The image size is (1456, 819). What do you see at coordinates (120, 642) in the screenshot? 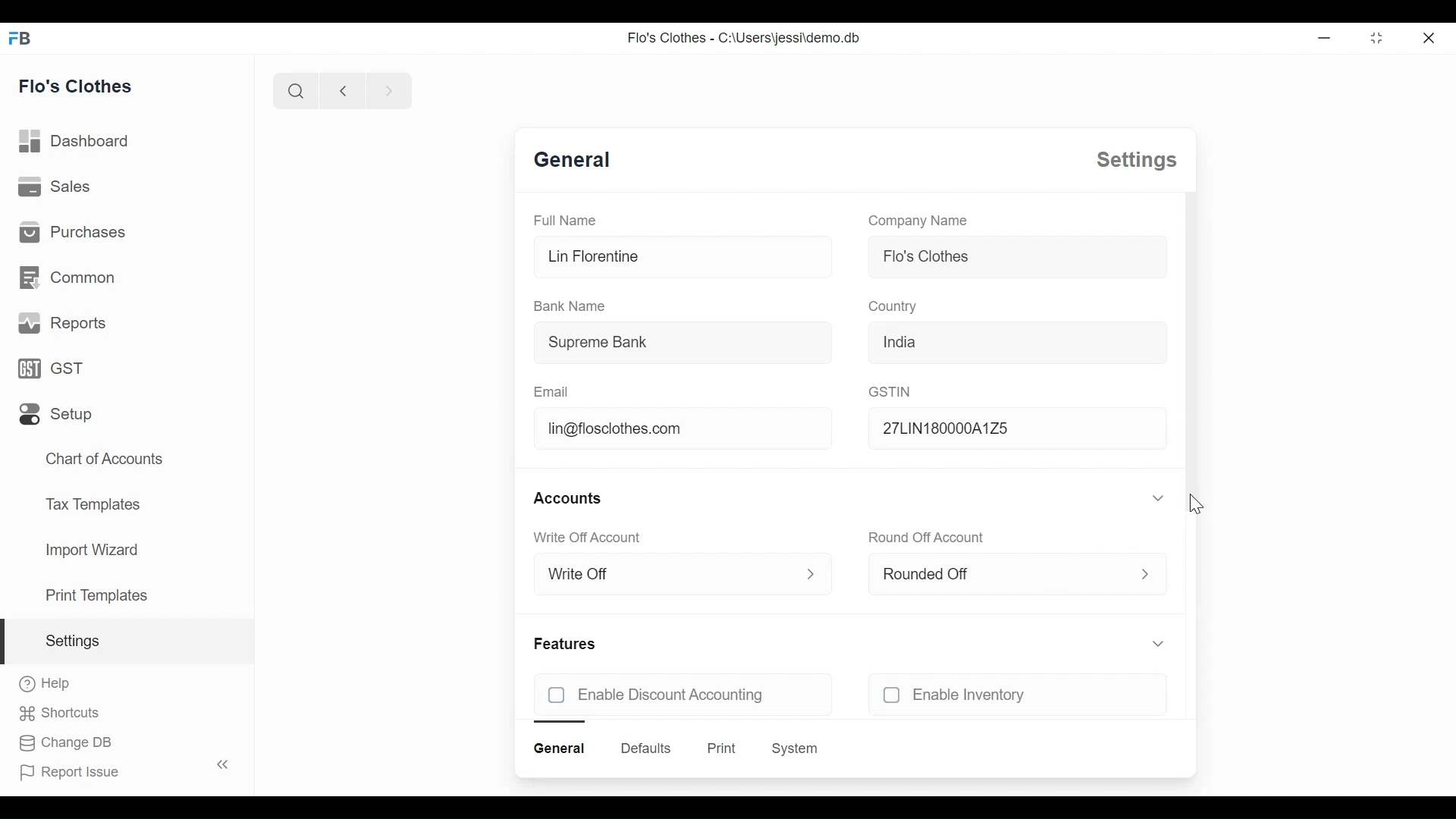
I see `Settings` at bounding box center [120, 642].